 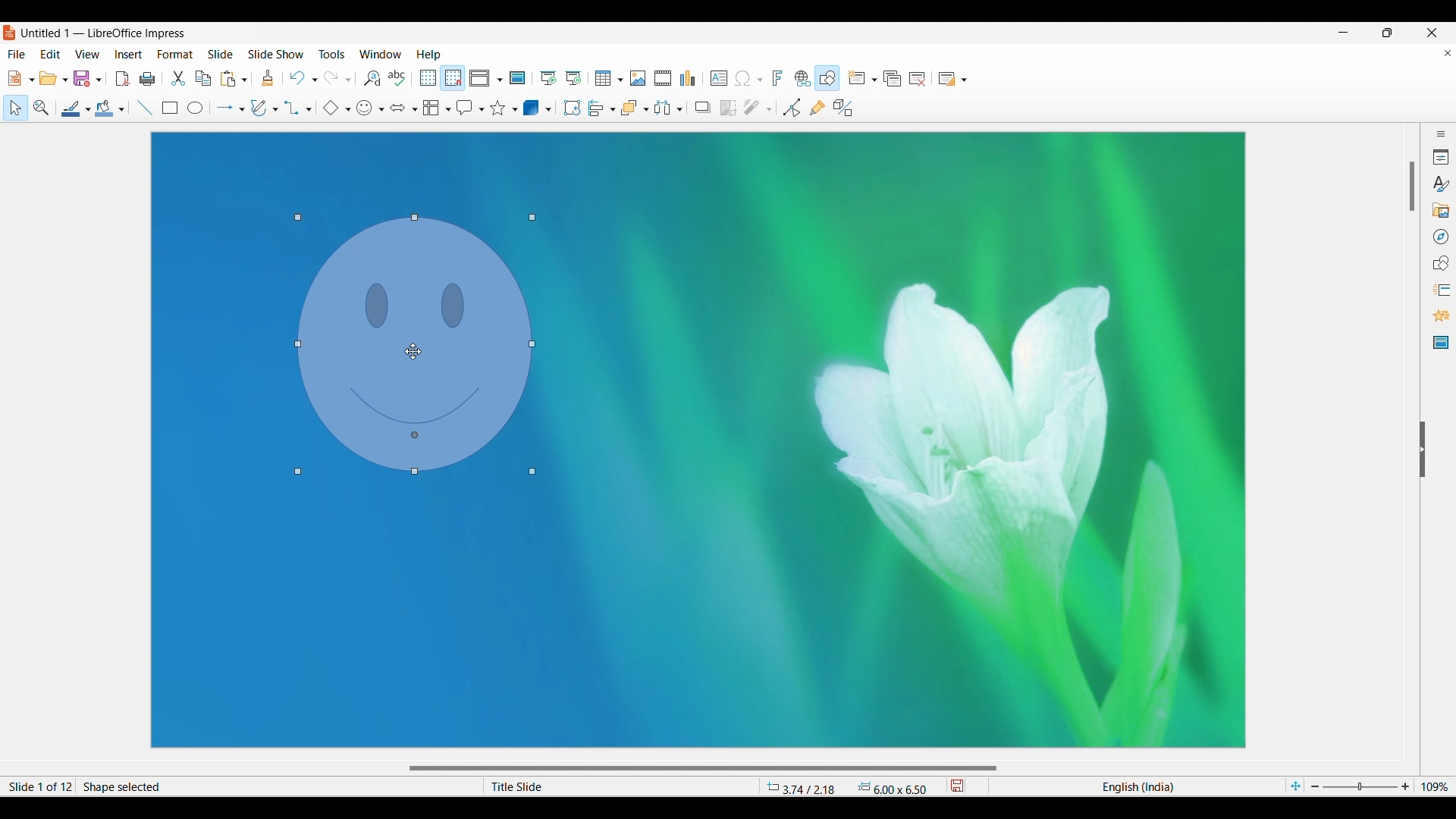 What do you see at coordinates (1440, 210) in the screenshot?
I see `Gallery` at bounding box center [1440, 210].